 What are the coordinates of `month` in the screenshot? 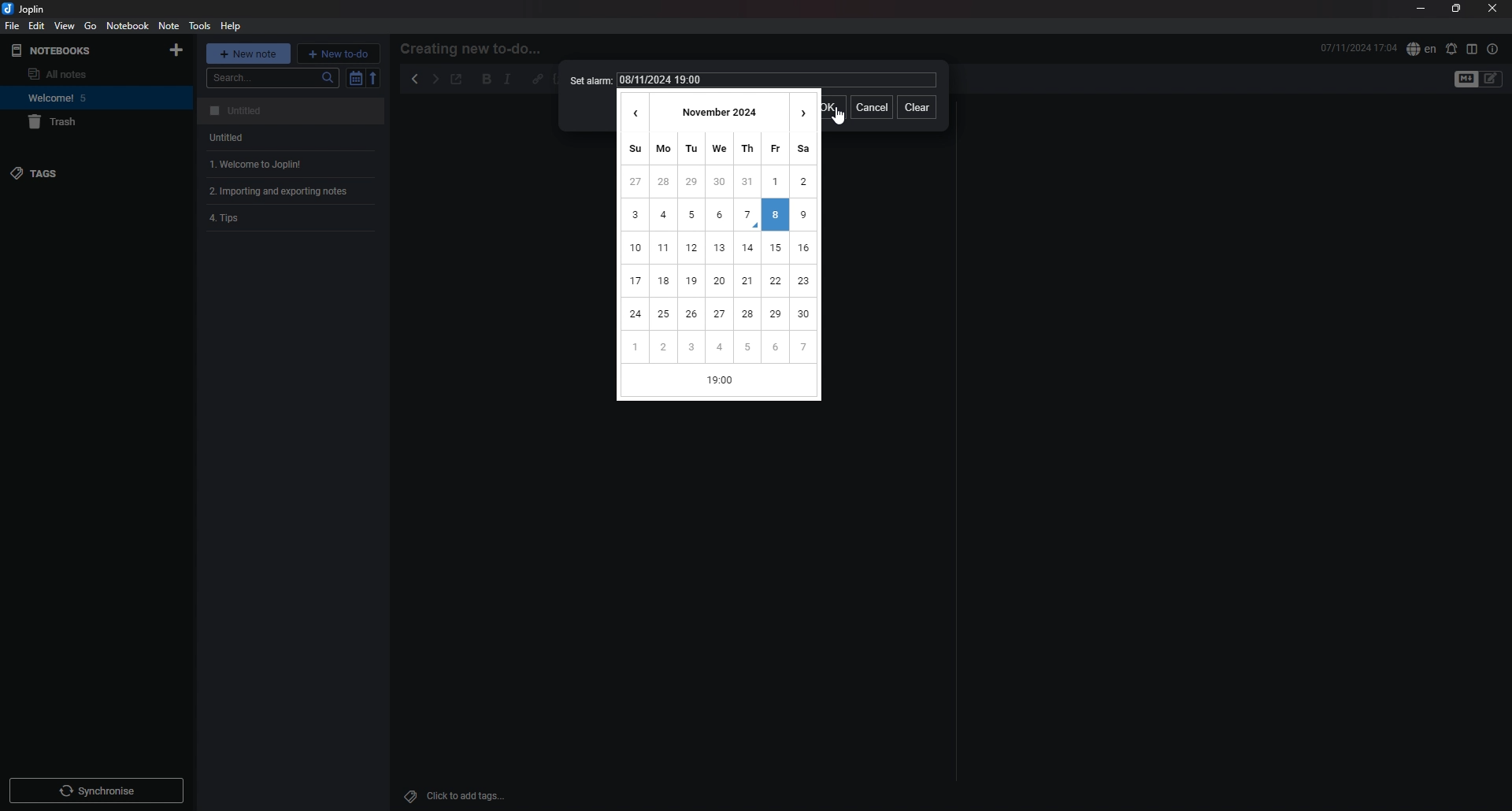 It's located at (718, 110).